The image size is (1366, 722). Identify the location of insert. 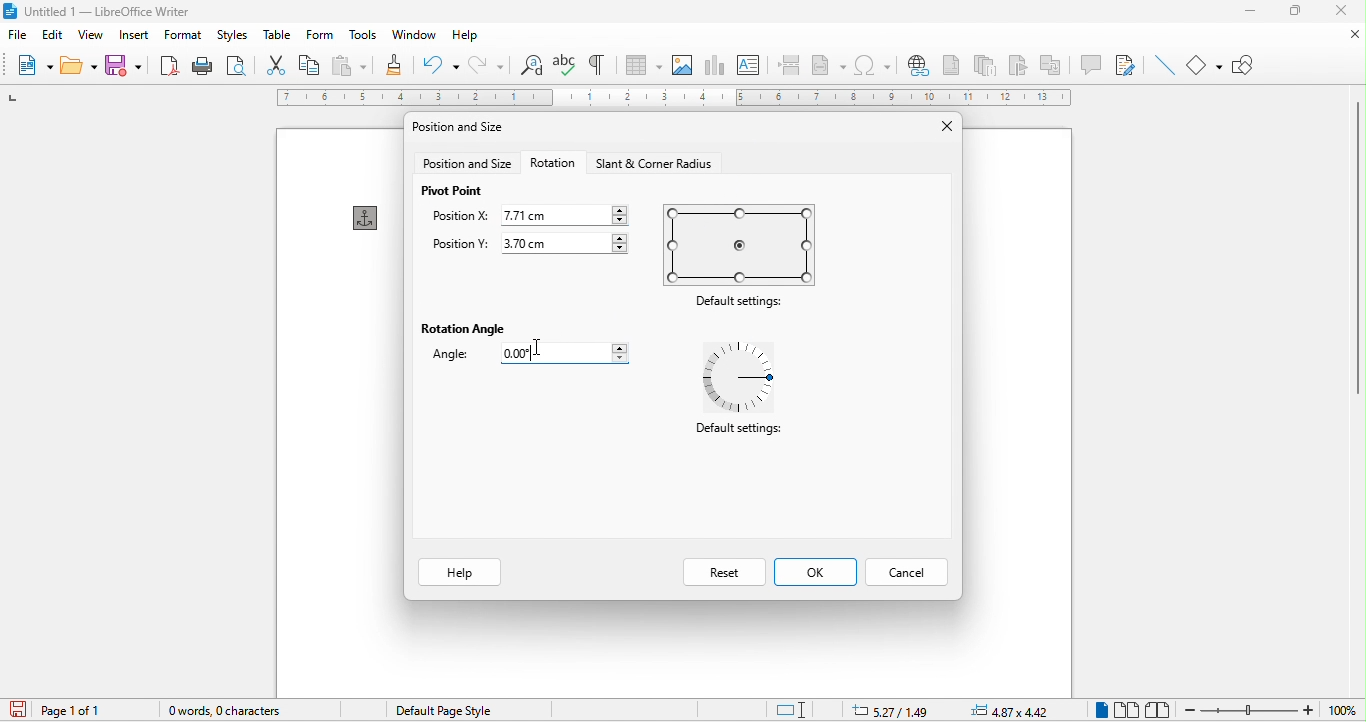
(133, 36).